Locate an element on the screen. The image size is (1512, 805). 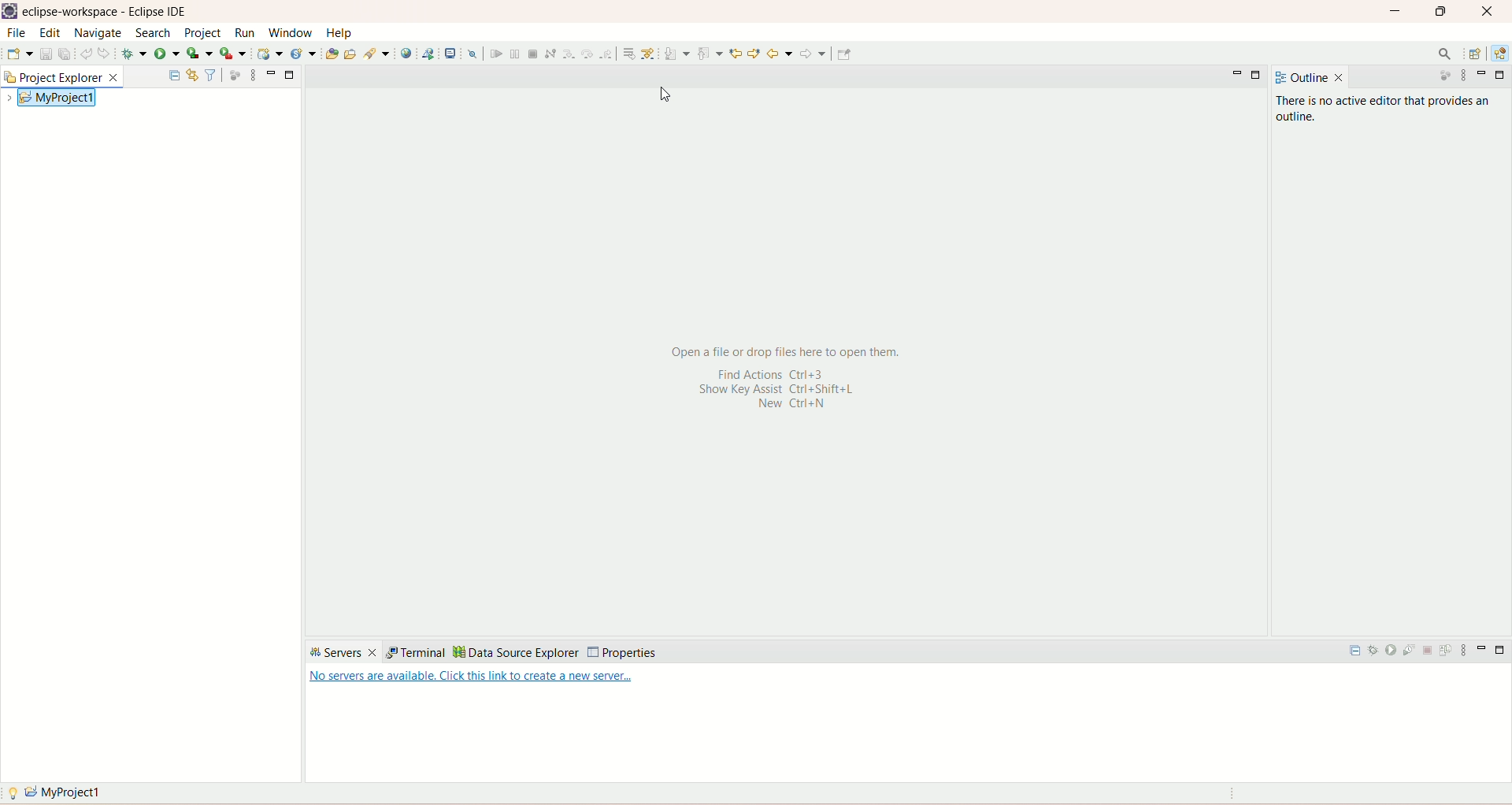
Pin editor is located at coordinates (845, 54).